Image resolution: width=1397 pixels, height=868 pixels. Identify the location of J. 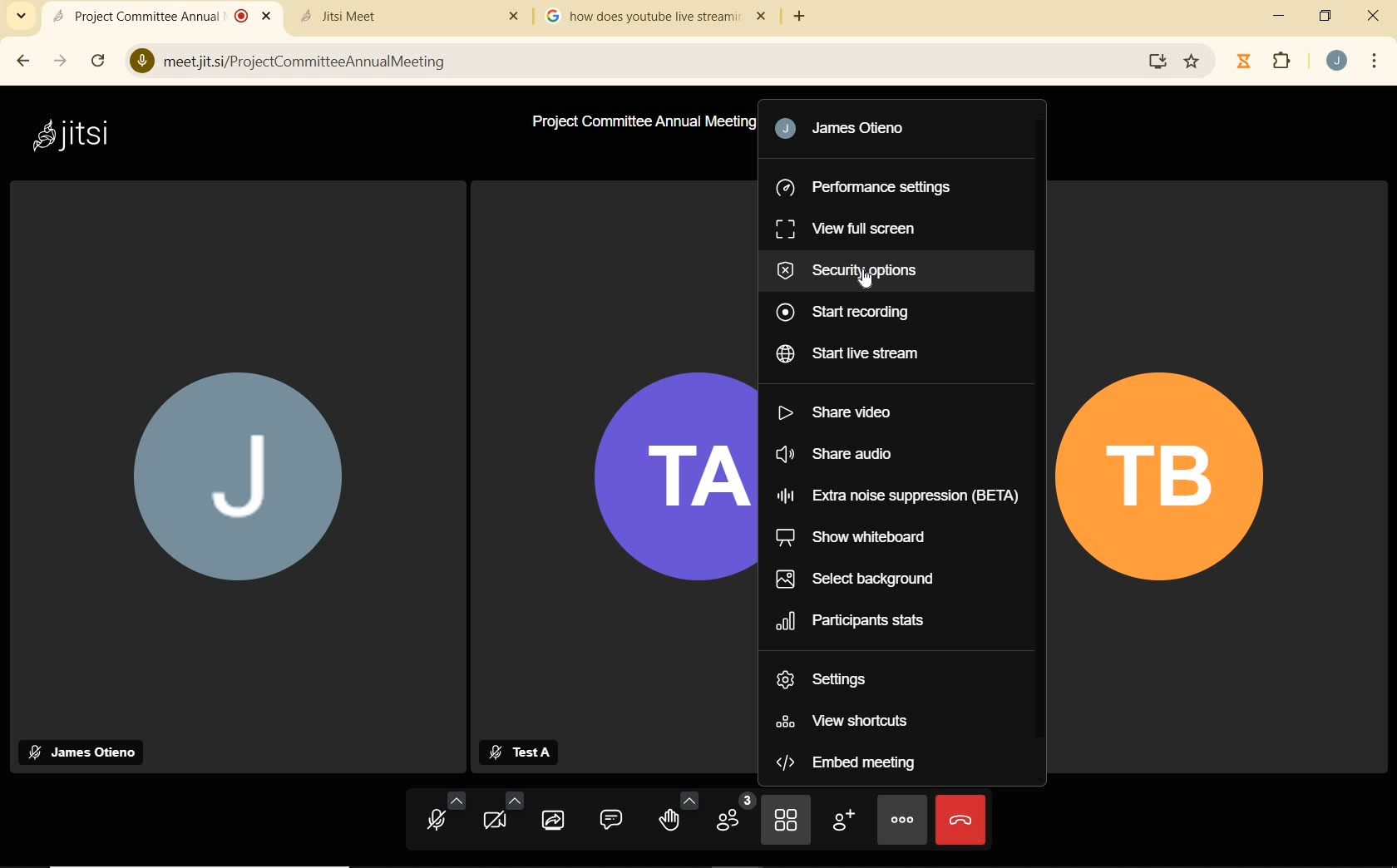
(237, 481).